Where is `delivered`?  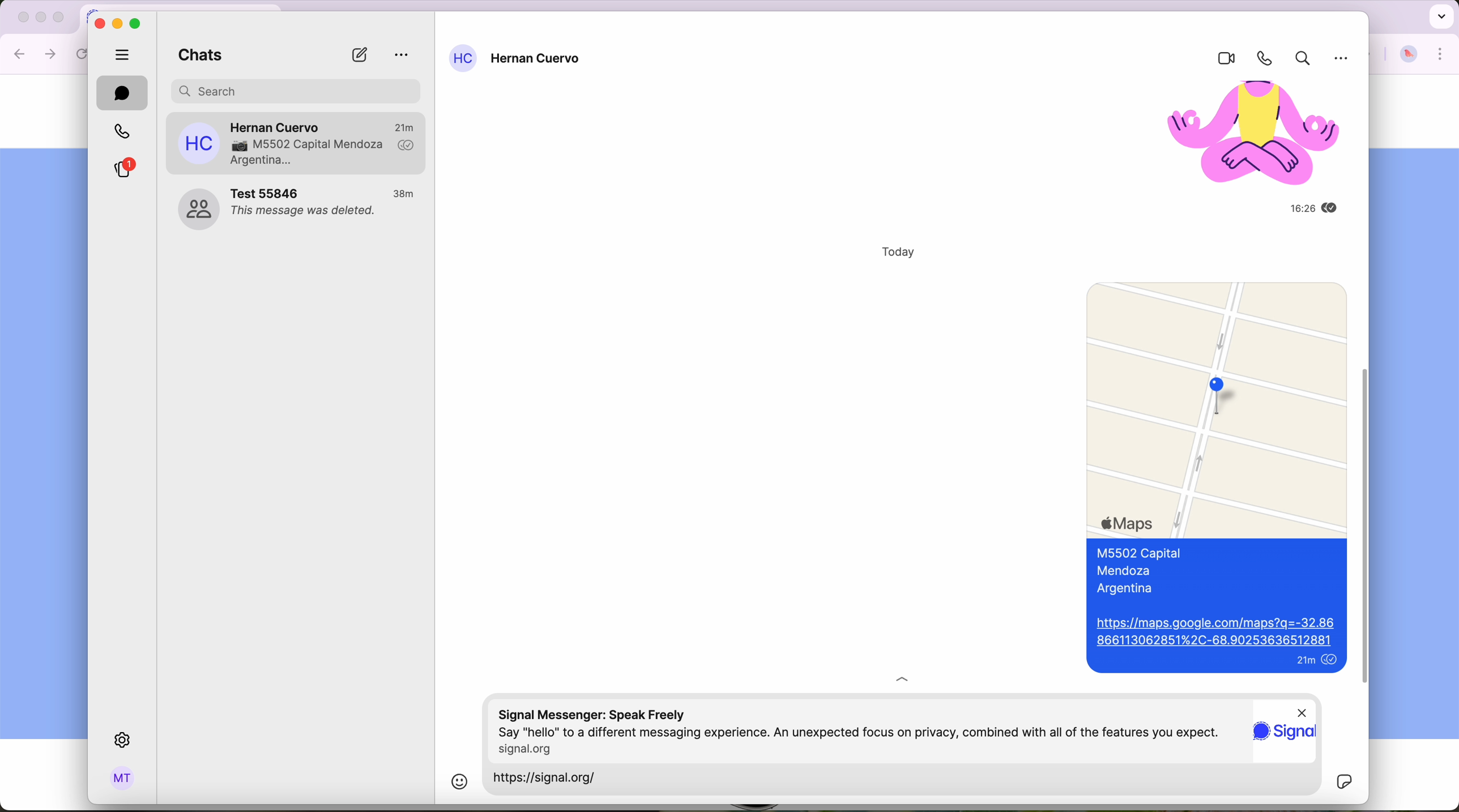 delivered is located at coordinates (407, 146).